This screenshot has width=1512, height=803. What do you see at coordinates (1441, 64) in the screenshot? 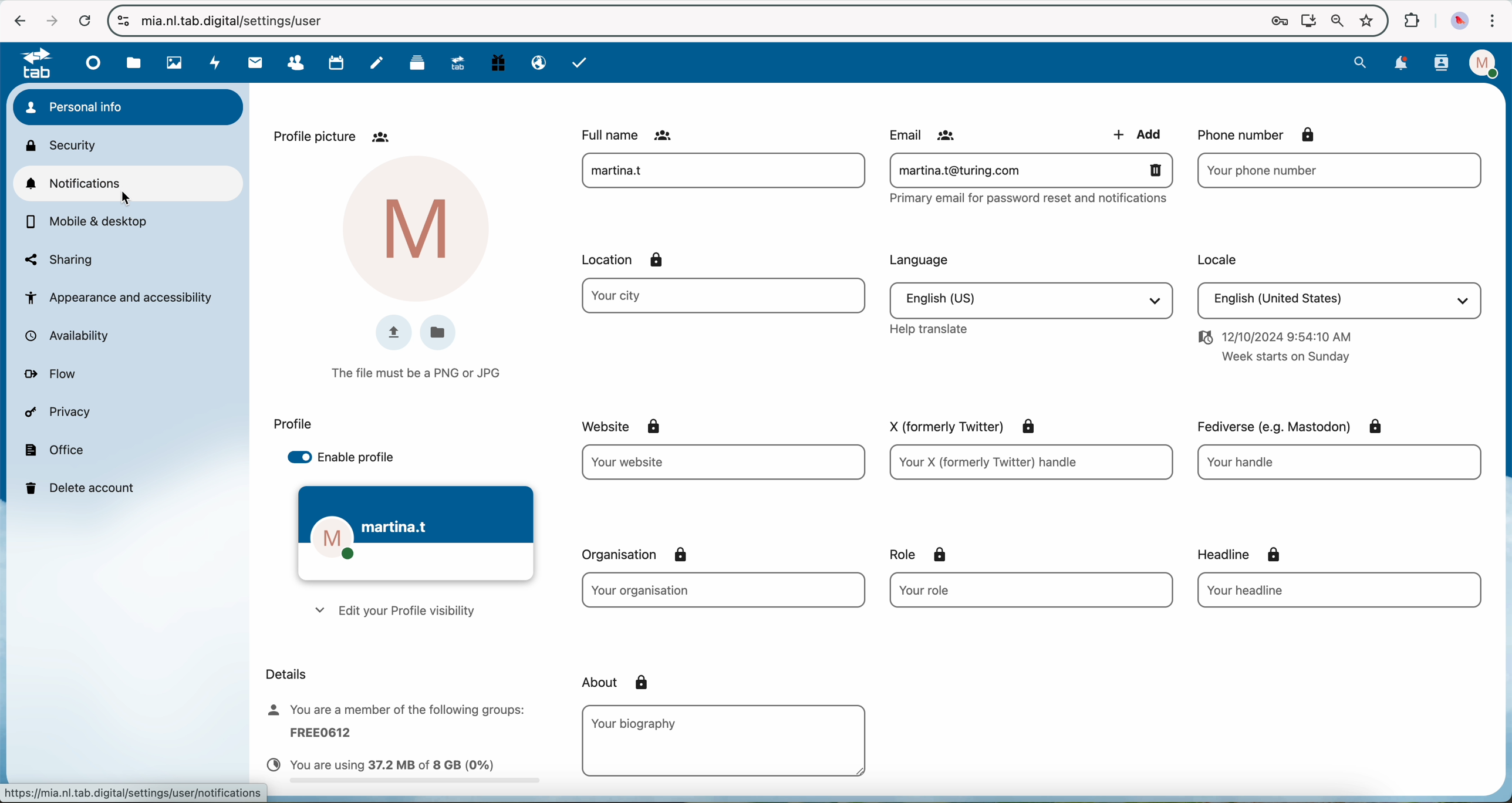
I see `contacts` at bounding box center [1441, 64].